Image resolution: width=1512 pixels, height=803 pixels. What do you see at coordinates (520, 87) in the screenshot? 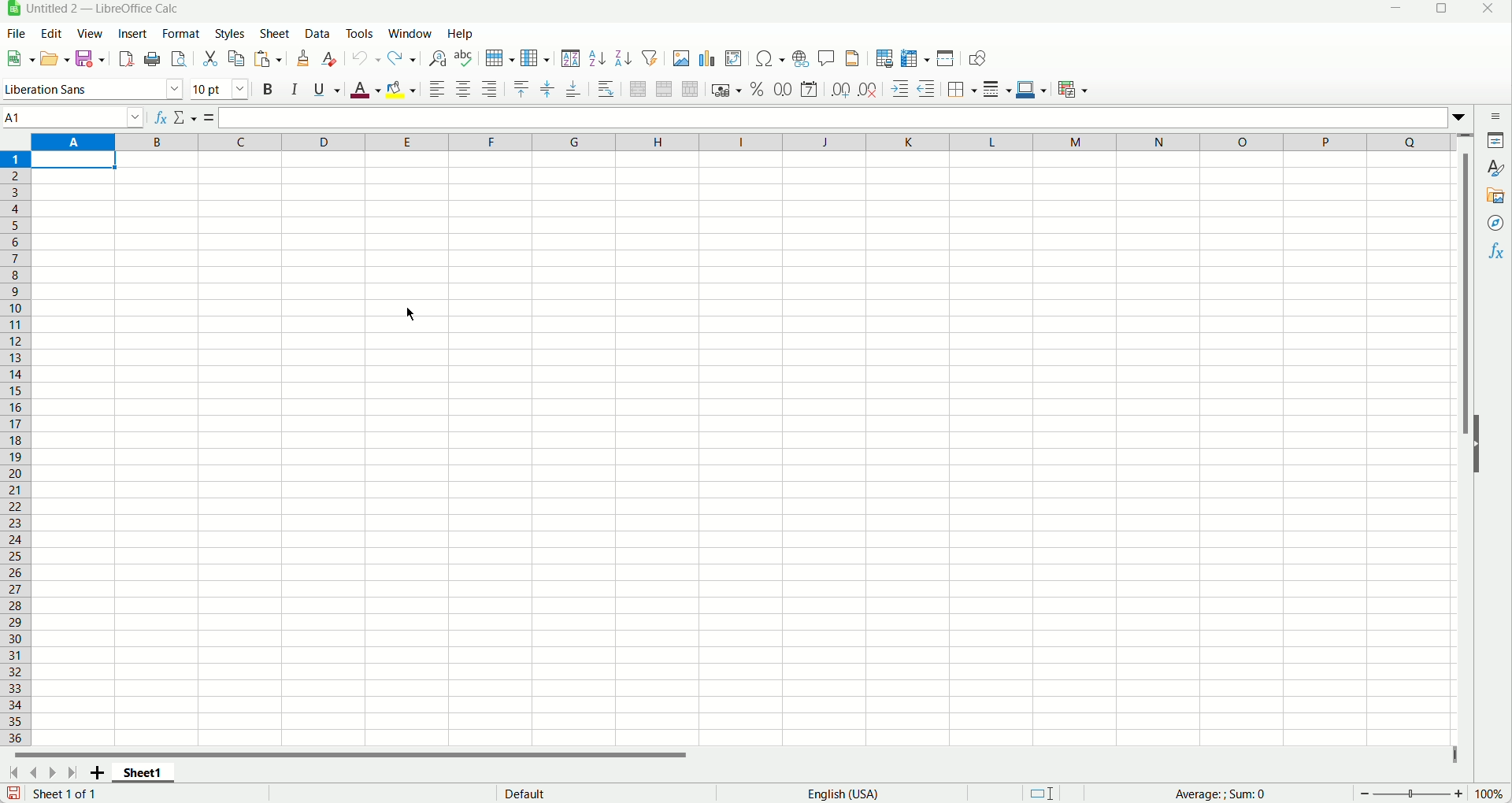
I see `Align top` at bounding box center [520, 87].